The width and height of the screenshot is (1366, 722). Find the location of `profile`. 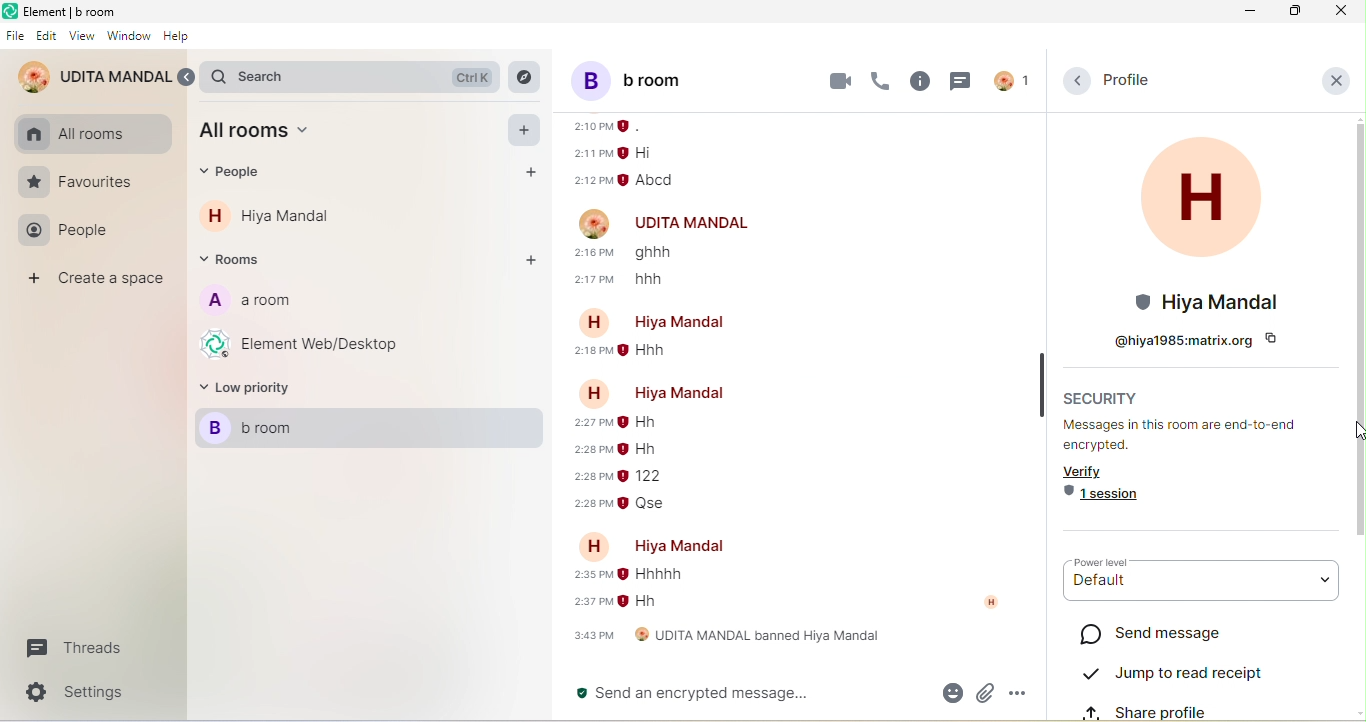

profile is located at coordinates (1124, 80).